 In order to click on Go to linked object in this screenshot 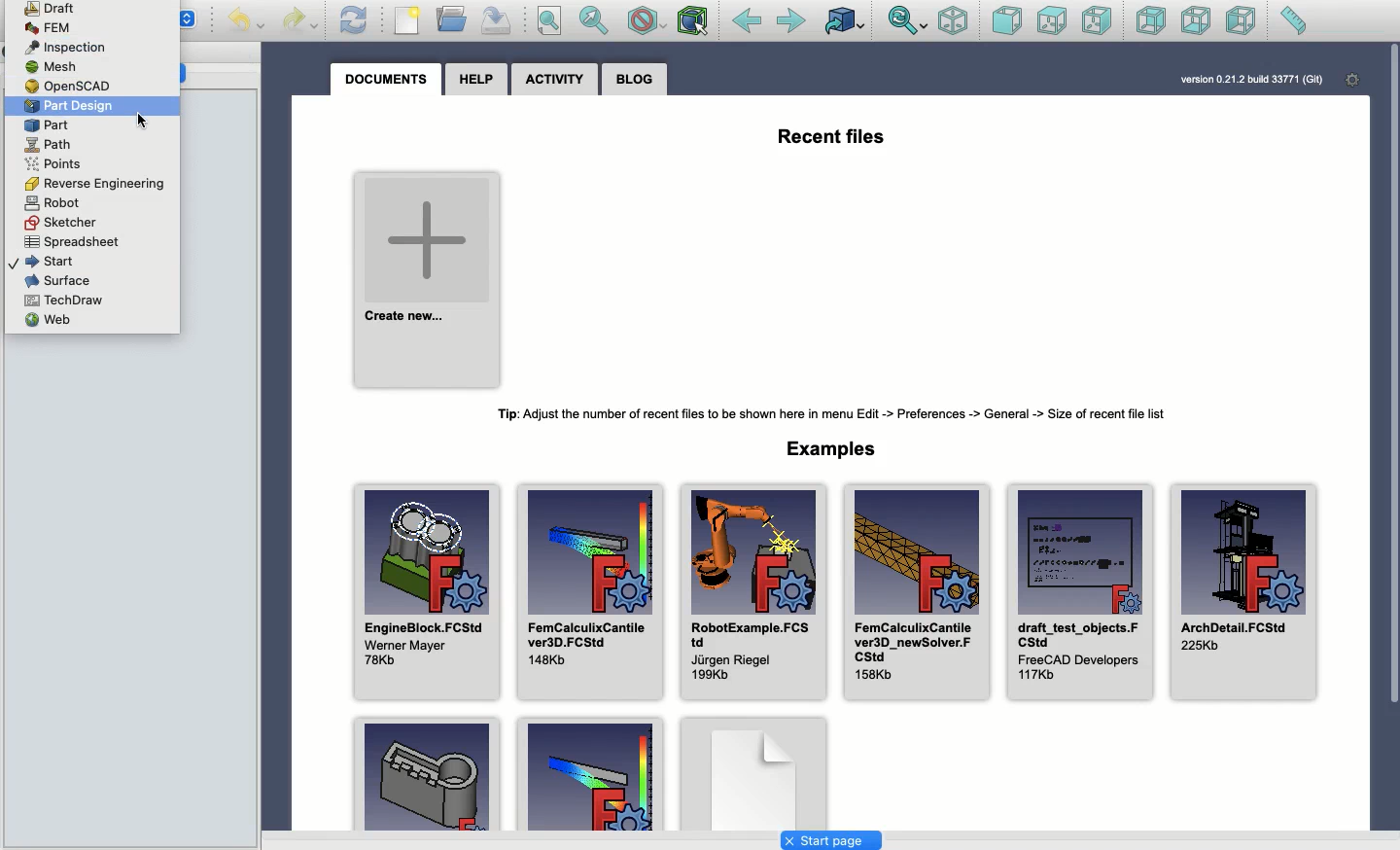, I will do `click(845, 22)`.